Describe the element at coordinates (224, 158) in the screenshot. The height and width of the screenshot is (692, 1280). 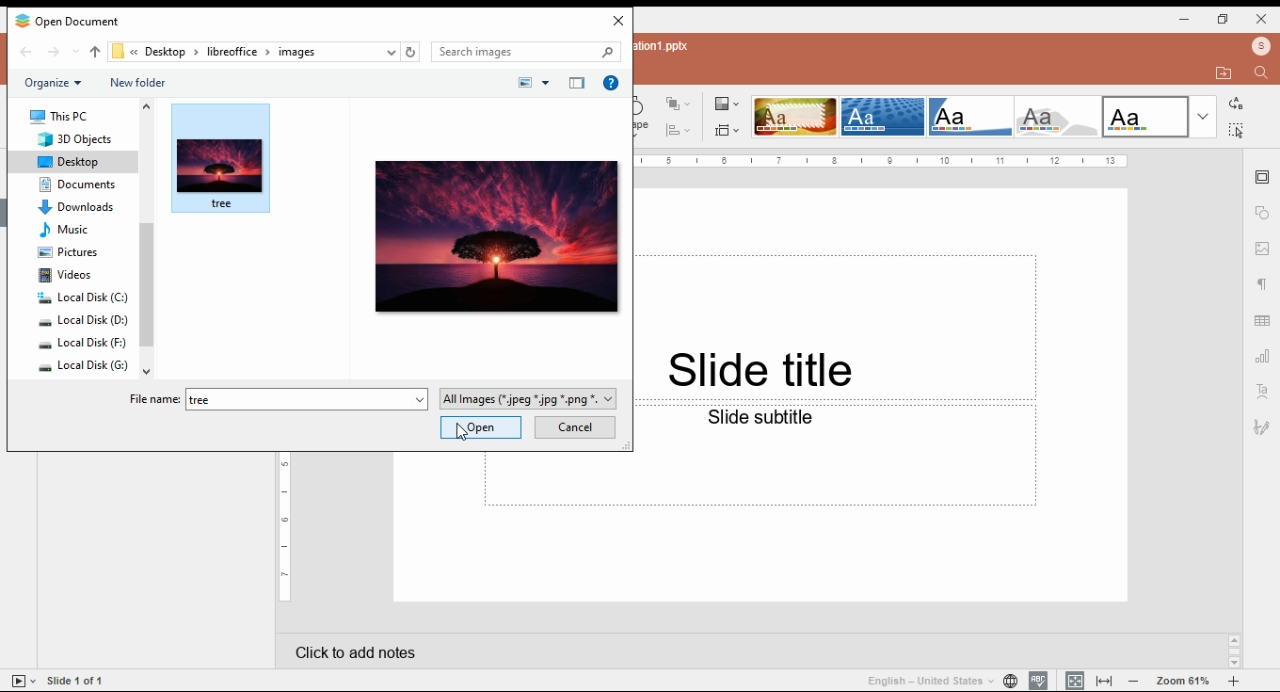
I see `selected image` at that location.